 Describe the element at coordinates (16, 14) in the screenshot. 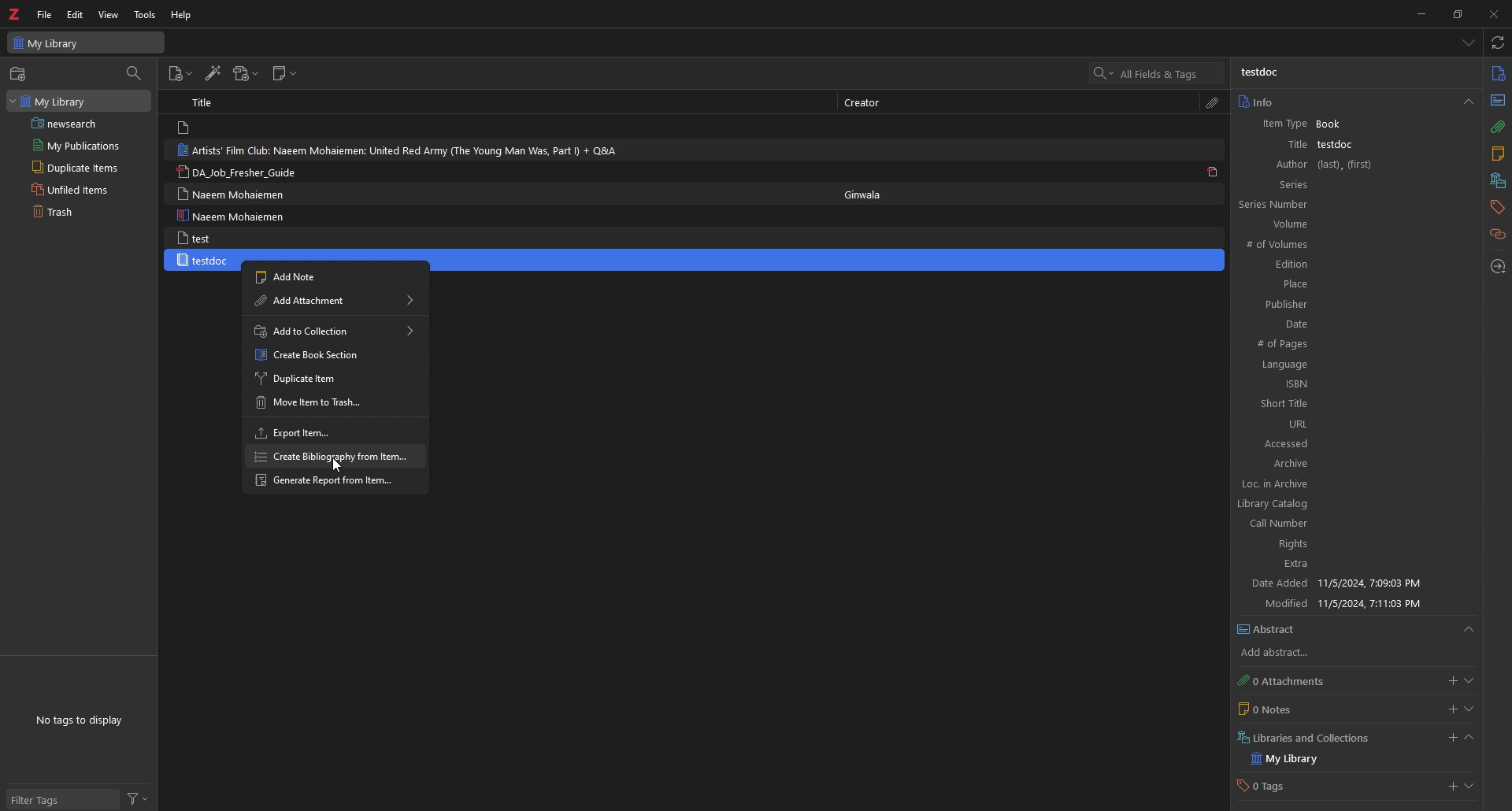

I see `logo` at that location.